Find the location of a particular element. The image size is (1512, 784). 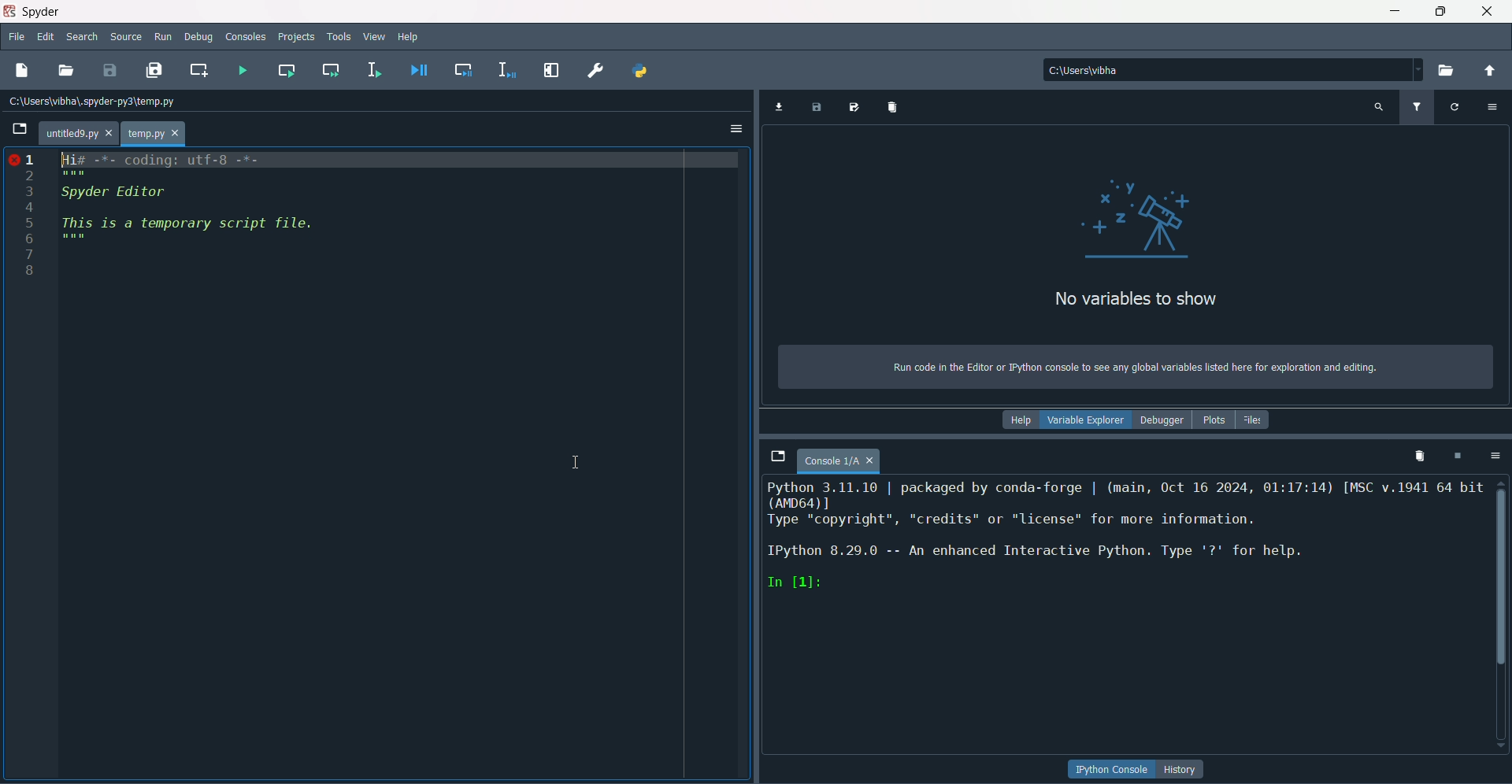

maximize current page is located at coordinates (550, 70).